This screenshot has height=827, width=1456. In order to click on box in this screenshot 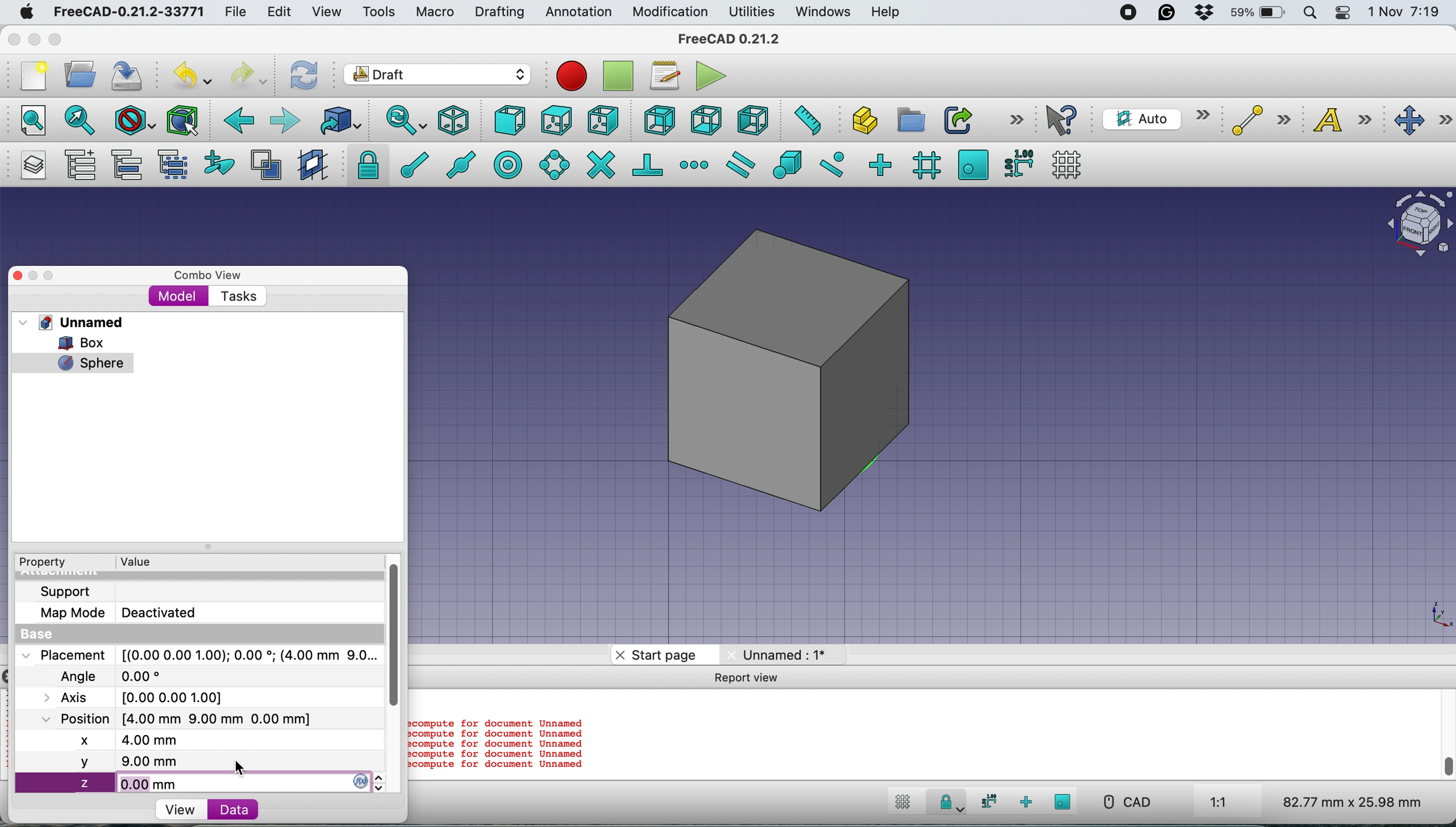, I will do `click(794, 369)`.